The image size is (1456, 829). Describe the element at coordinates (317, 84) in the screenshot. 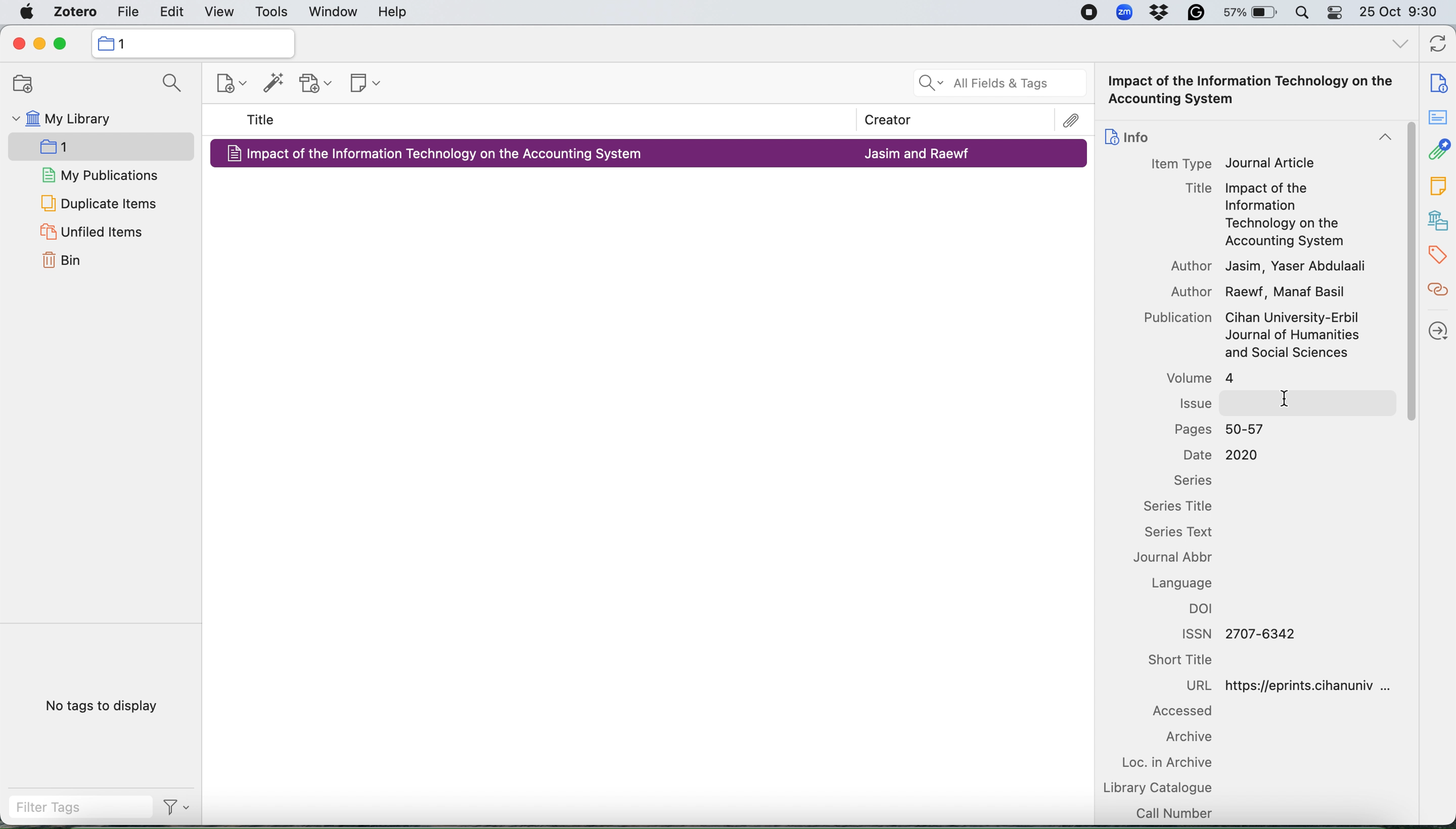

I see `add attachment` at that location.